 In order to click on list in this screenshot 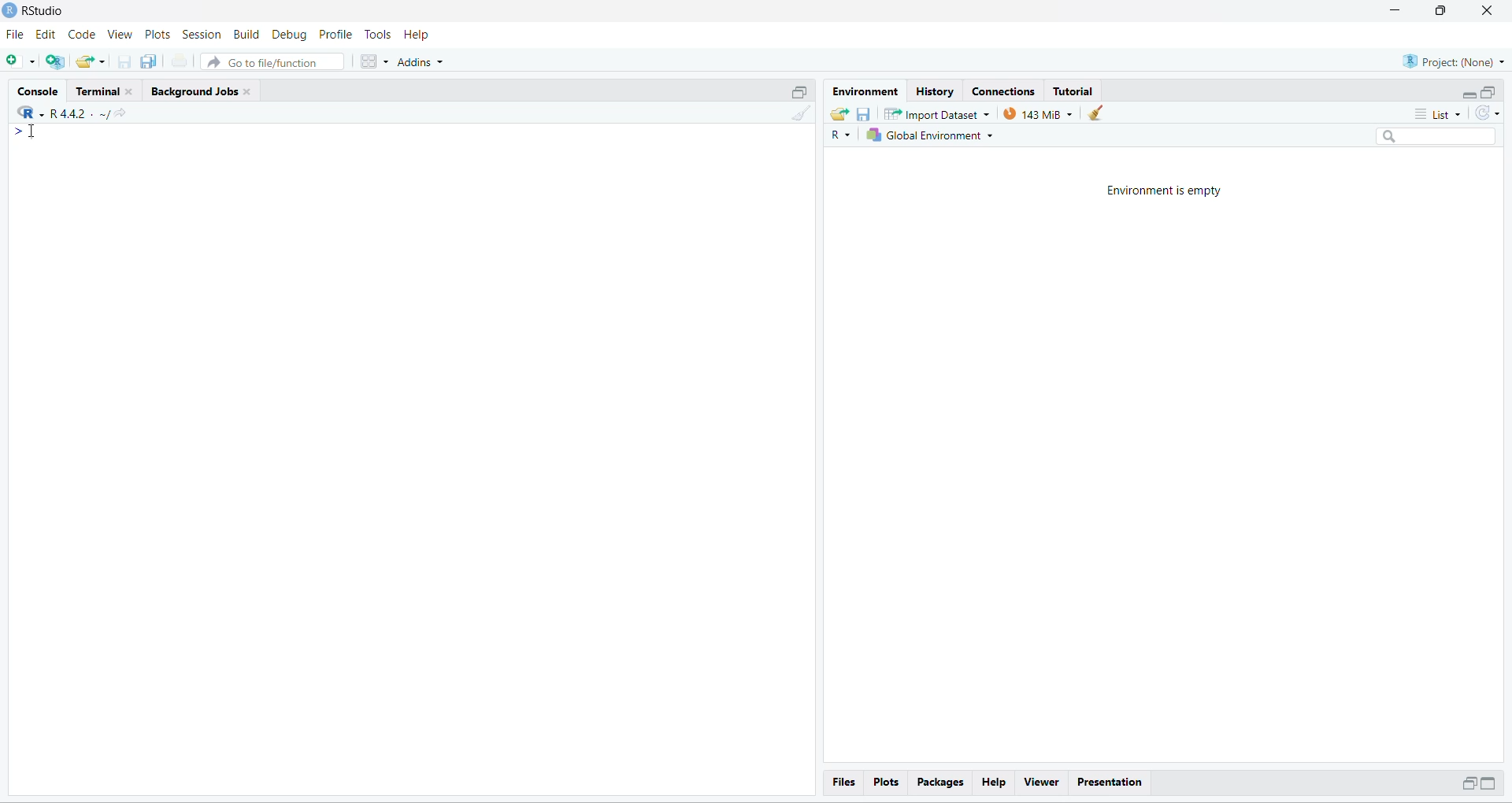, I will do `click(1438, 114)`.